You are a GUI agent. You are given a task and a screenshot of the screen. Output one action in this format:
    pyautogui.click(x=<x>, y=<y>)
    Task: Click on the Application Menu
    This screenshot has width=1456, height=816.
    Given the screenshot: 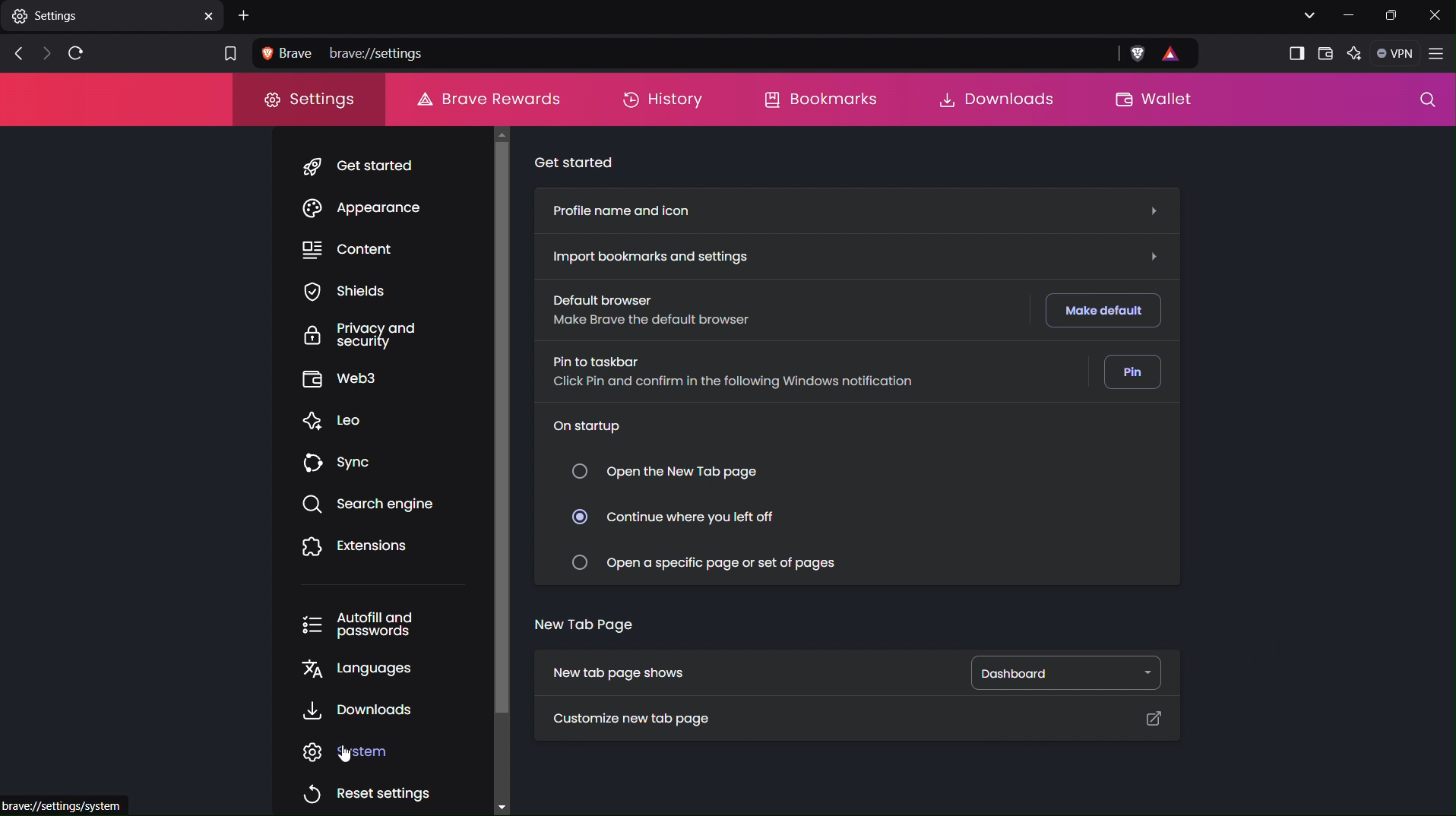 What is the action you would take?
    pyautogui.click(x=1438, y=55)
    